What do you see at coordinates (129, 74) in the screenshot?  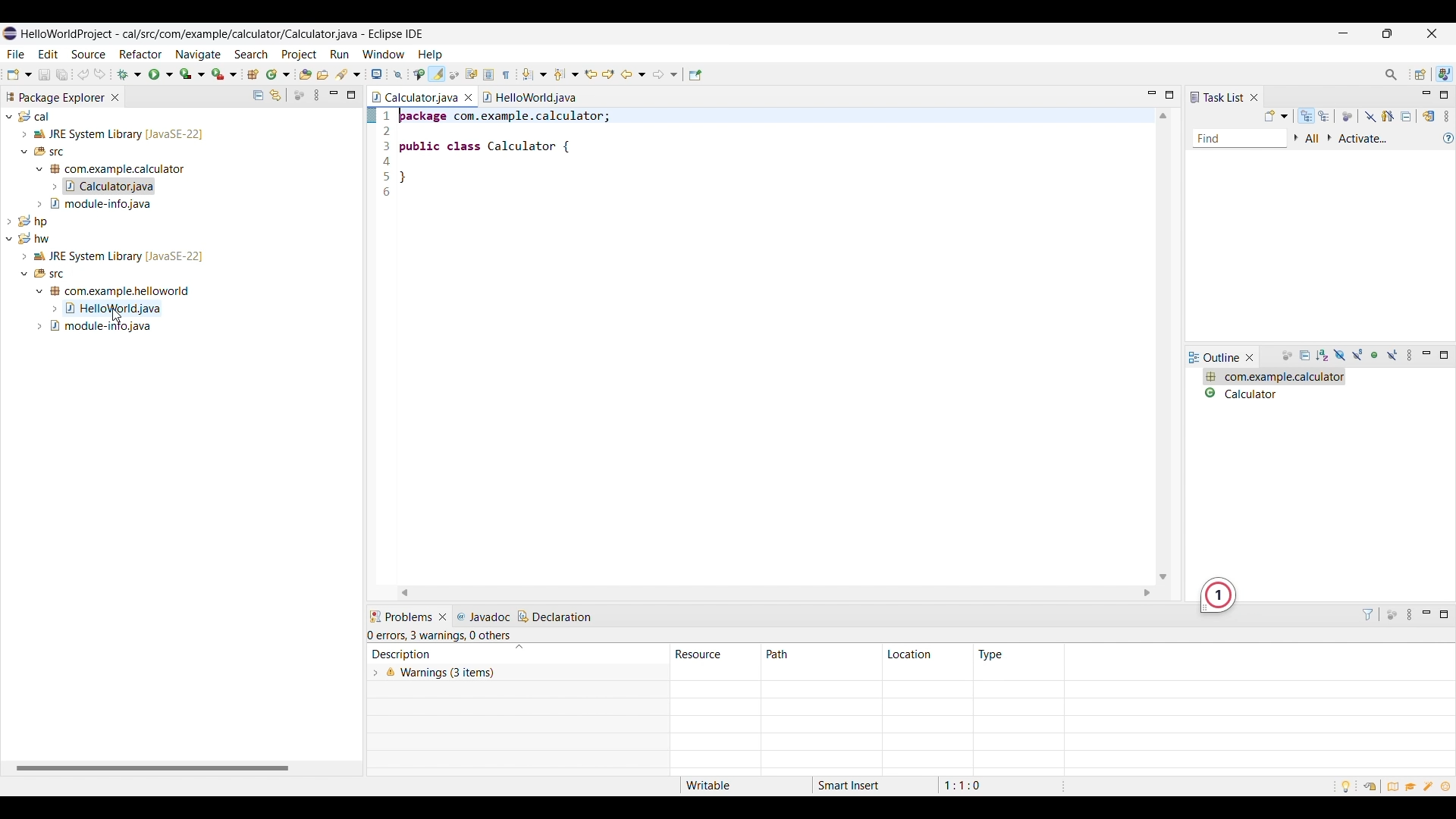 I see `Debug options` at bounding box center [129, 74].